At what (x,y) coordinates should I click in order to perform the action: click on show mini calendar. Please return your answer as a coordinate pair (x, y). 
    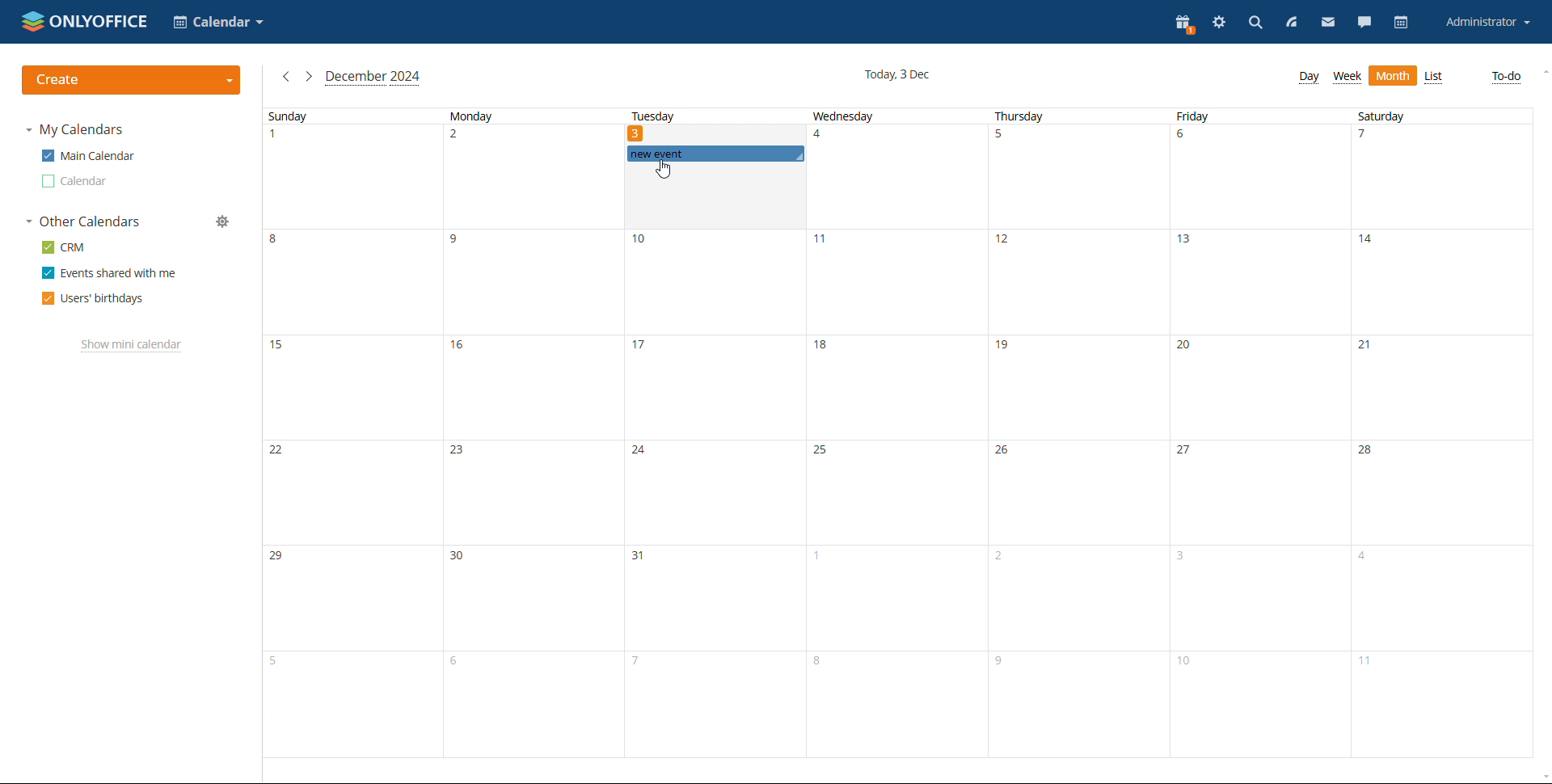
    Looking at the image, I should click on (132, 346).